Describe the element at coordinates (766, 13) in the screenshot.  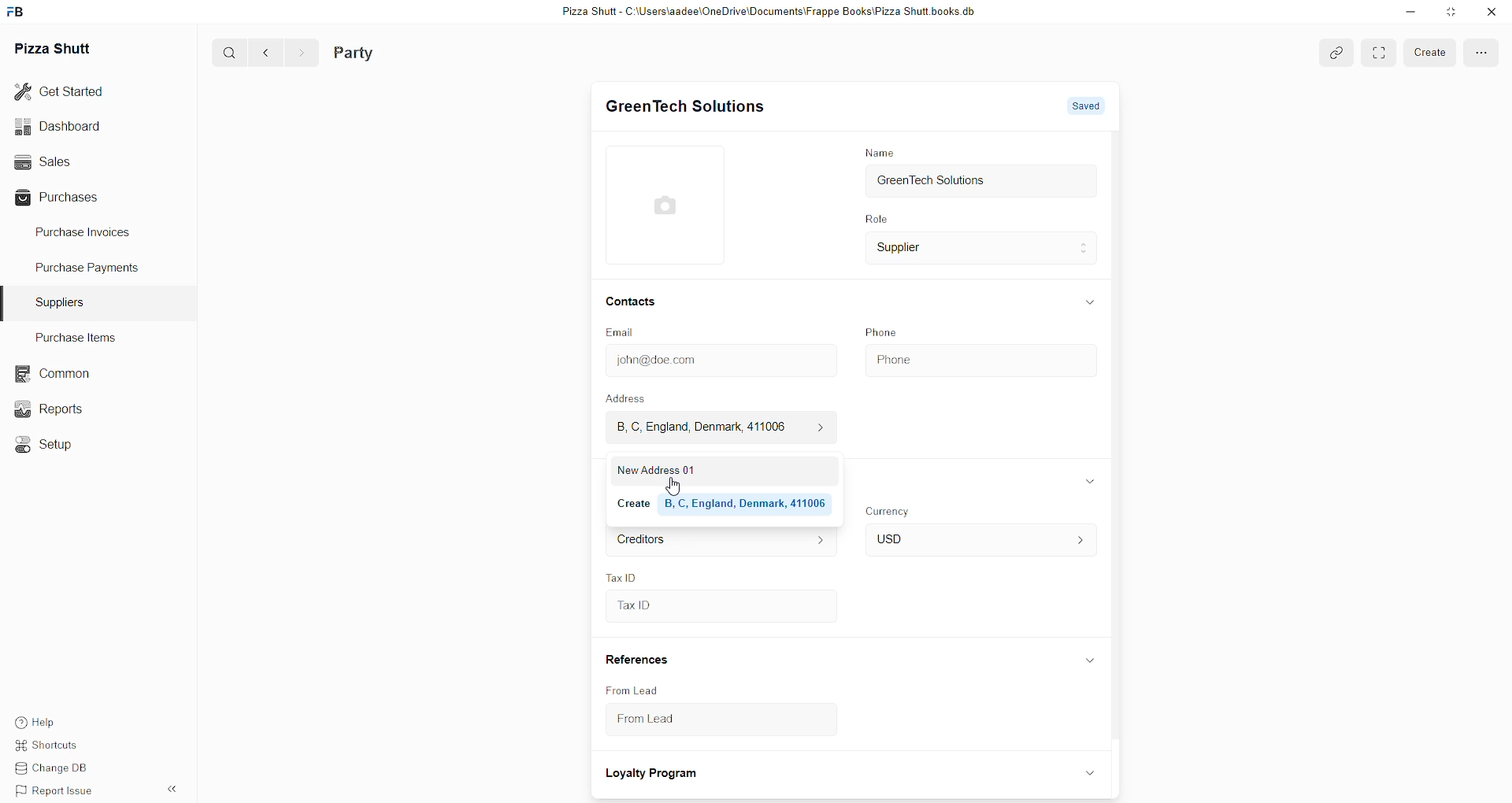
I see `Pizza Shutt - C:\Users\aadee\OneDrive\Documents\Frappe Books\Pizza Shutt books.db` at that location.